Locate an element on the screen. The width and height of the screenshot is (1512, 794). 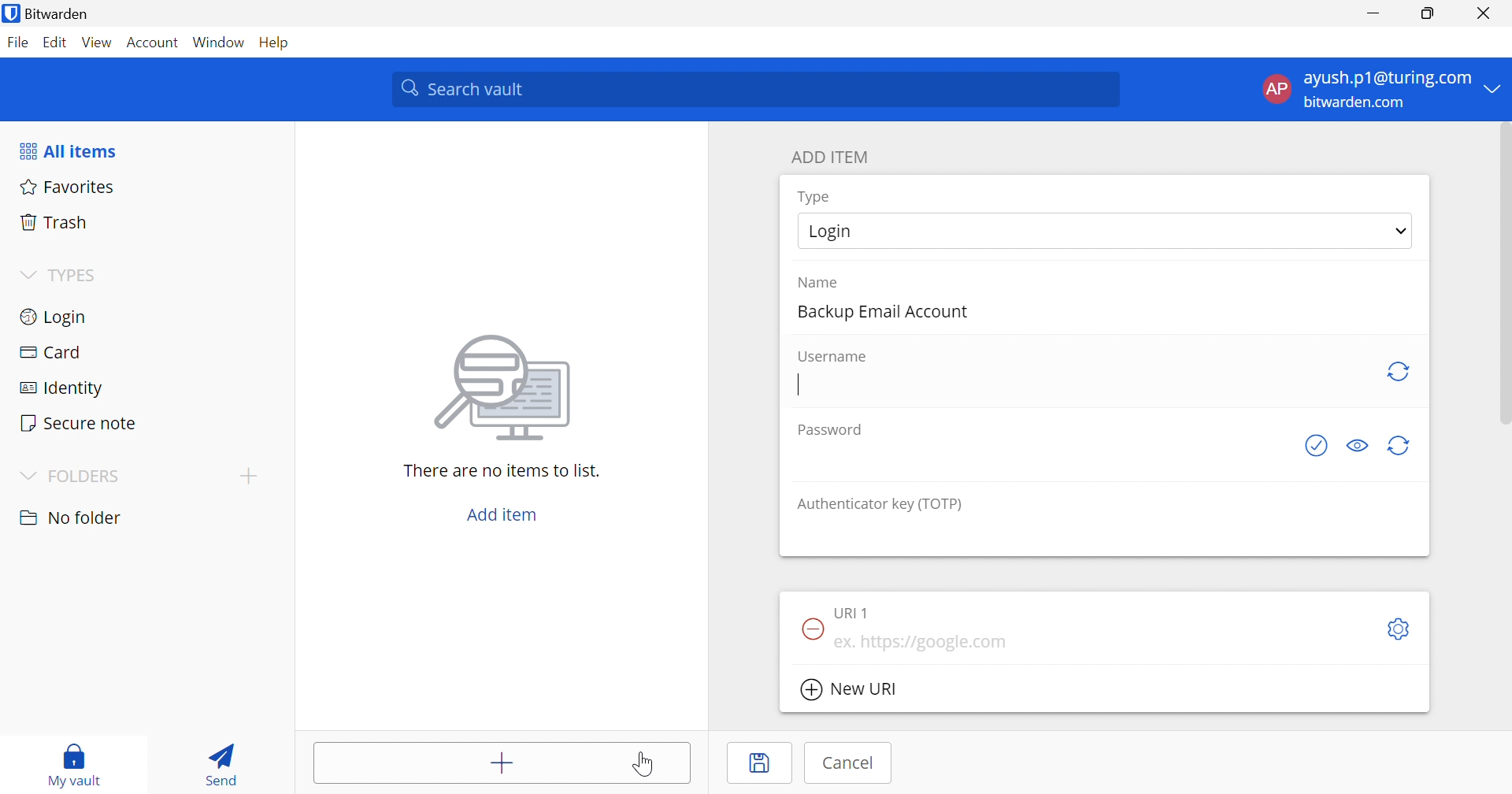
bitwarden logo is located at coordinates (11, 13).